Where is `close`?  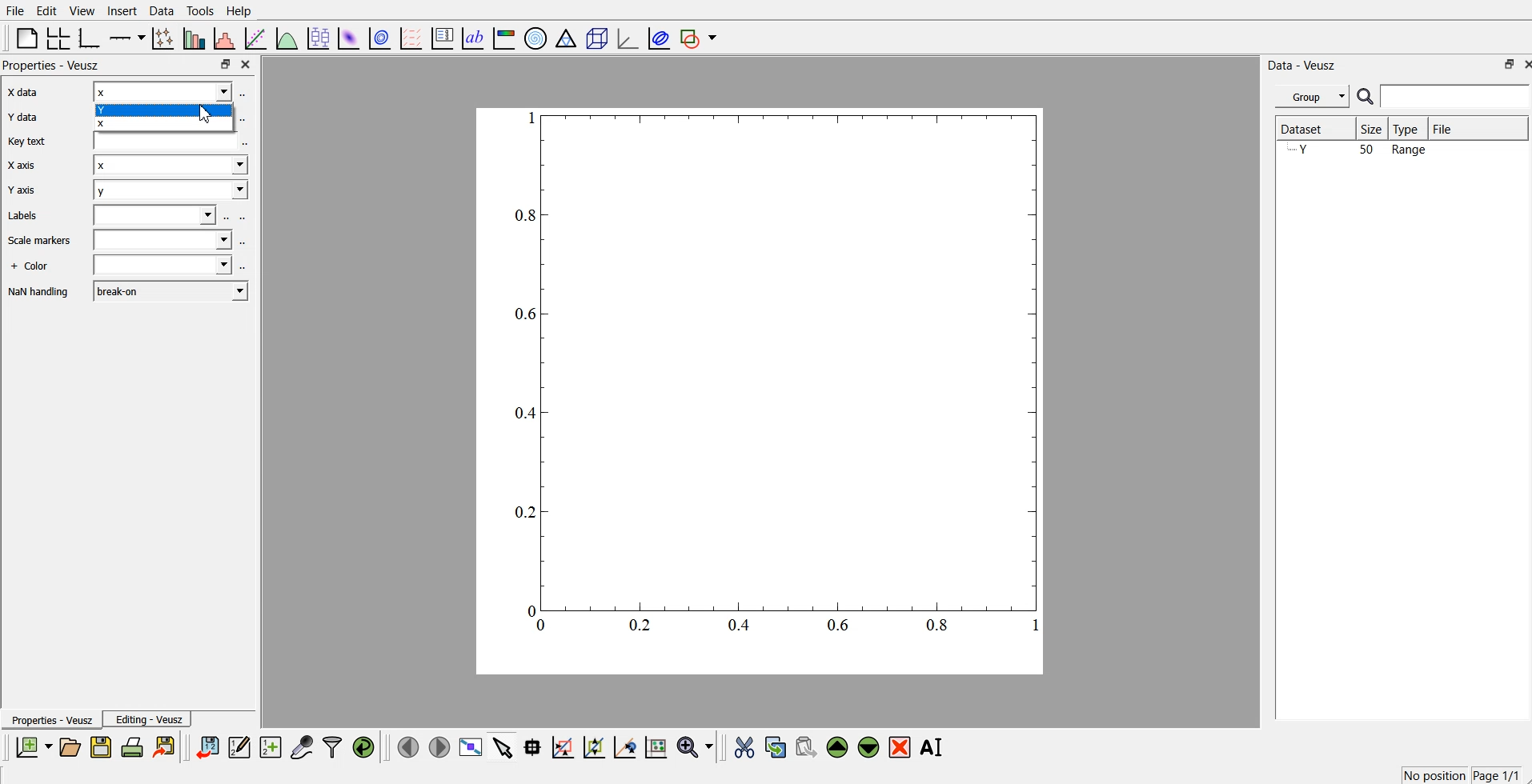
close is located at coordinates (1522, 64).